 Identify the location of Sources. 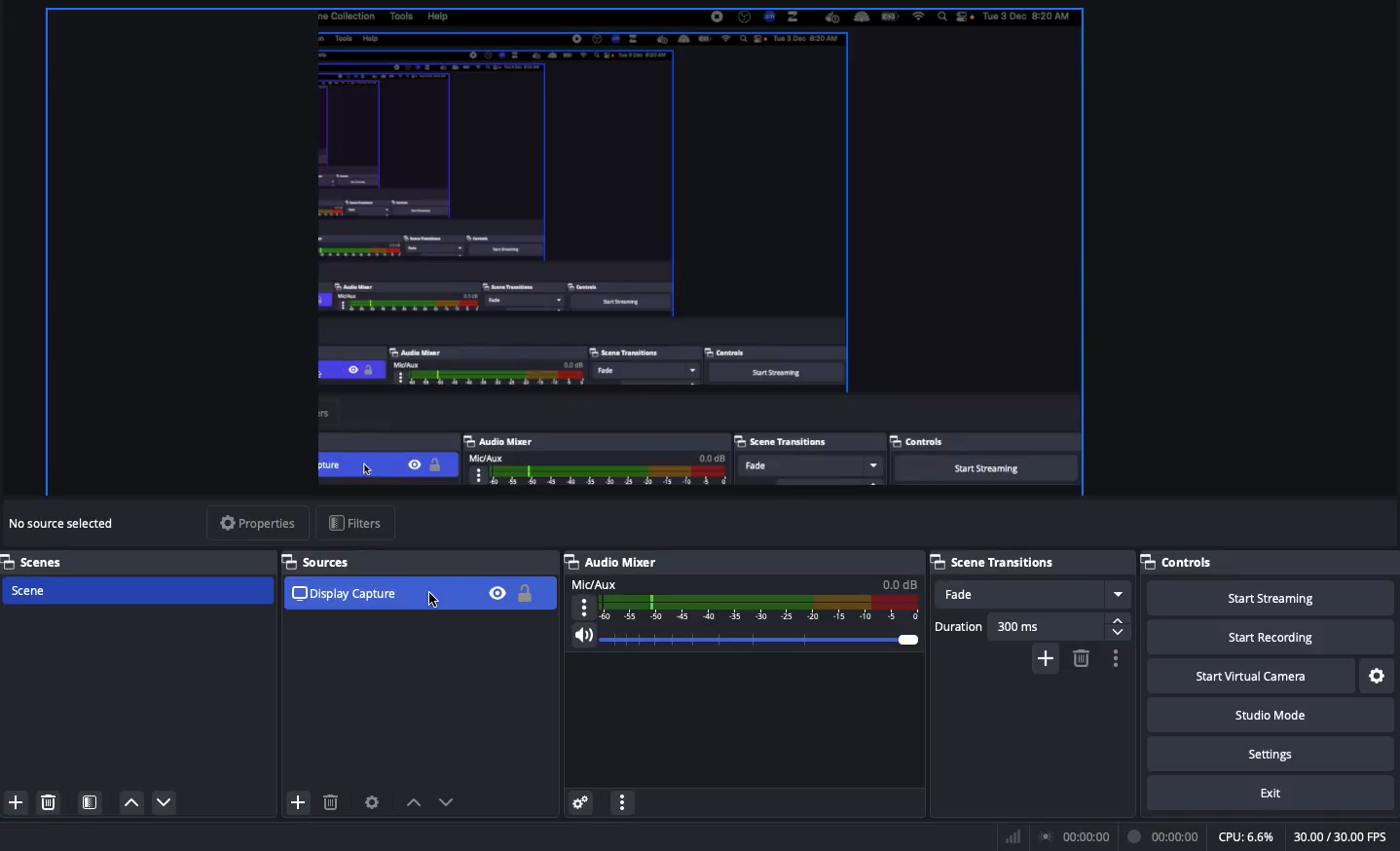
(323, 561).